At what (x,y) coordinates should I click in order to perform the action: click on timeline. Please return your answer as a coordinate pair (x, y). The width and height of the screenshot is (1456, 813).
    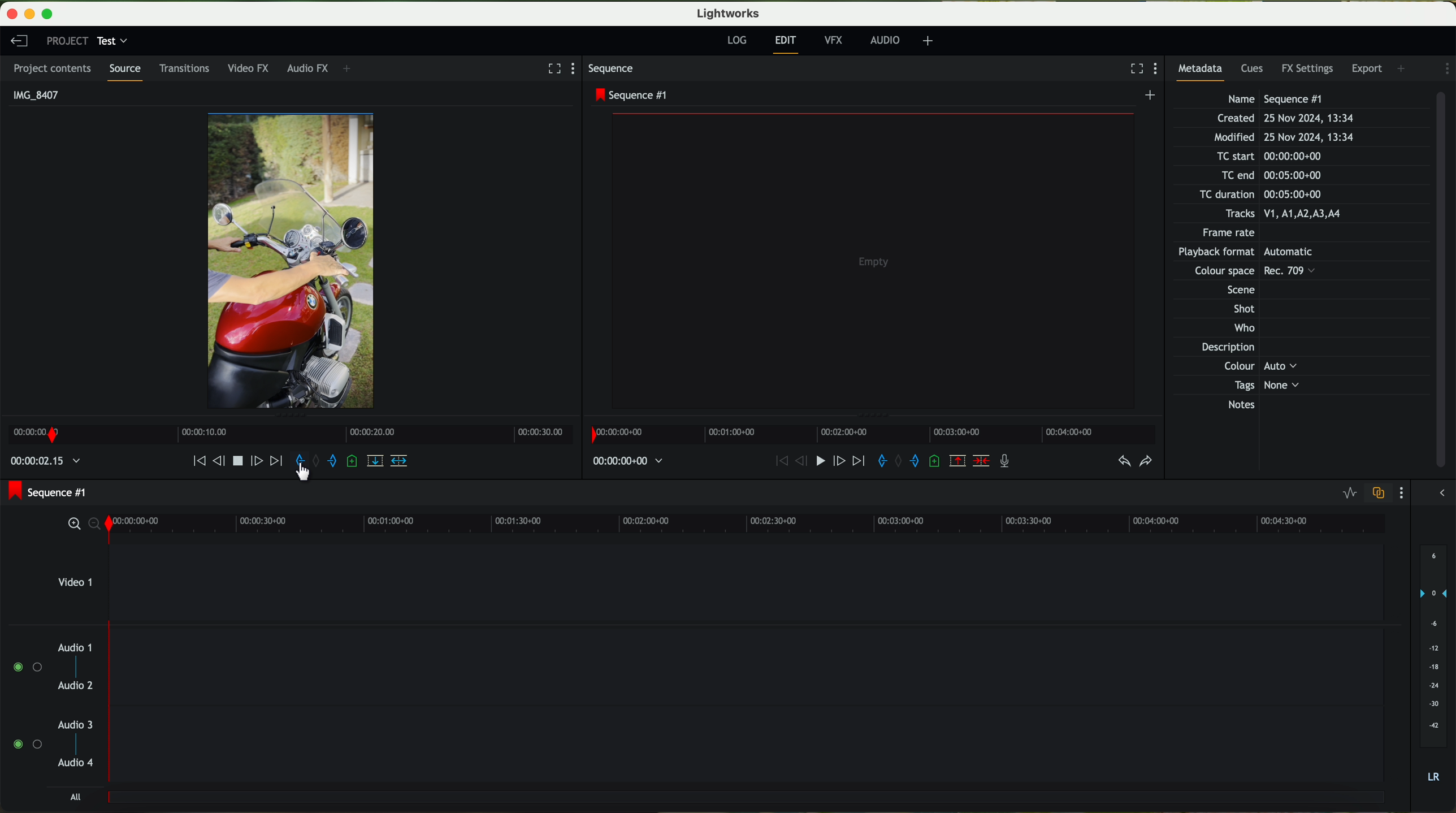
    Looking at the image, I should click on (747, 523).